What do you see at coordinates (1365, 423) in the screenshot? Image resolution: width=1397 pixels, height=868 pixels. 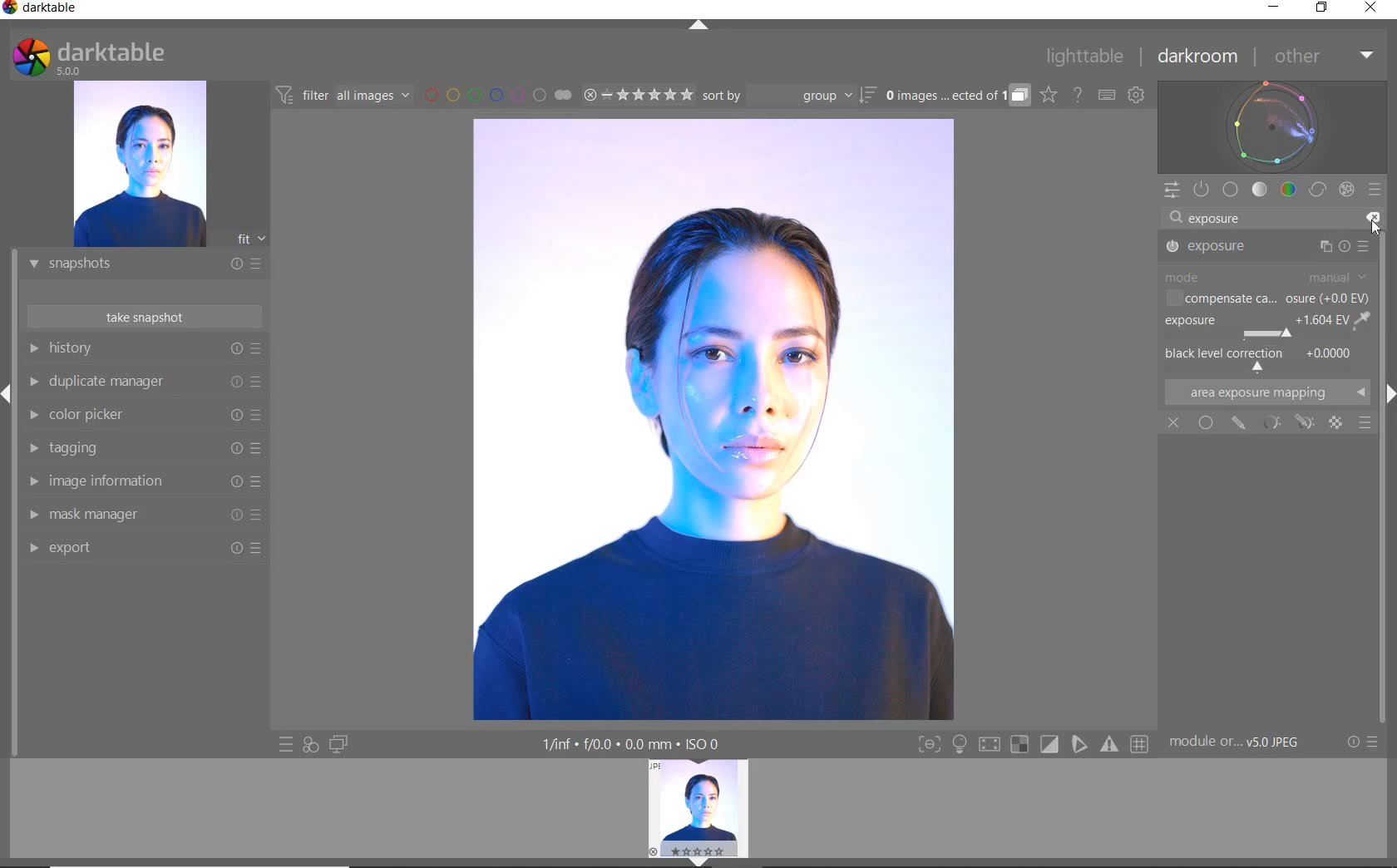 I see `BLENDING OPTIONS` at bounding box center [1365, 423].